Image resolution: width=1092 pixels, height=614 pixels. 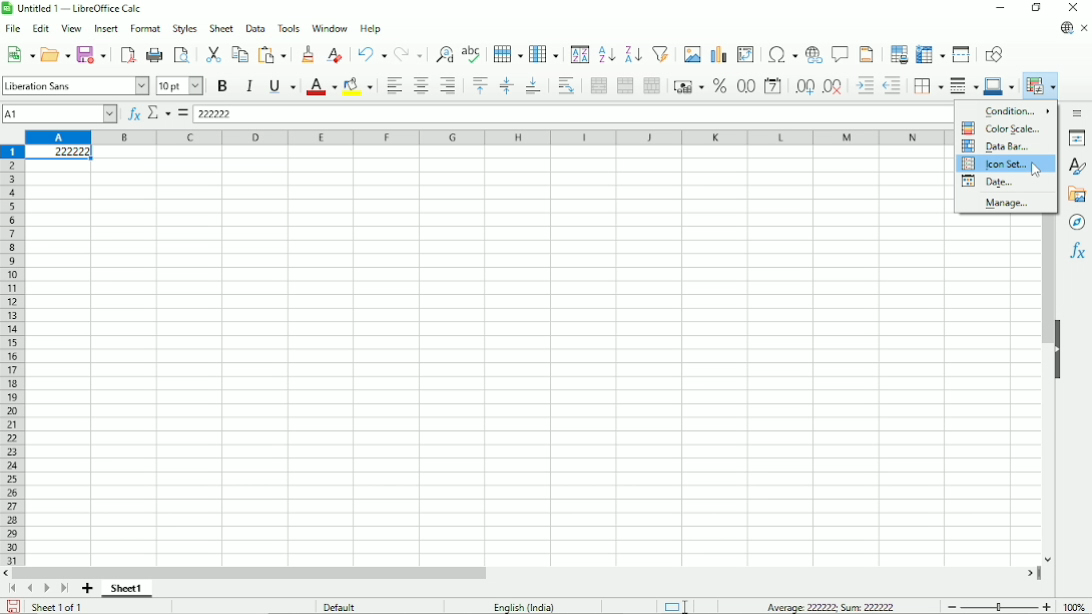 I want to click on Merge cells, so click(x=625, y=86).